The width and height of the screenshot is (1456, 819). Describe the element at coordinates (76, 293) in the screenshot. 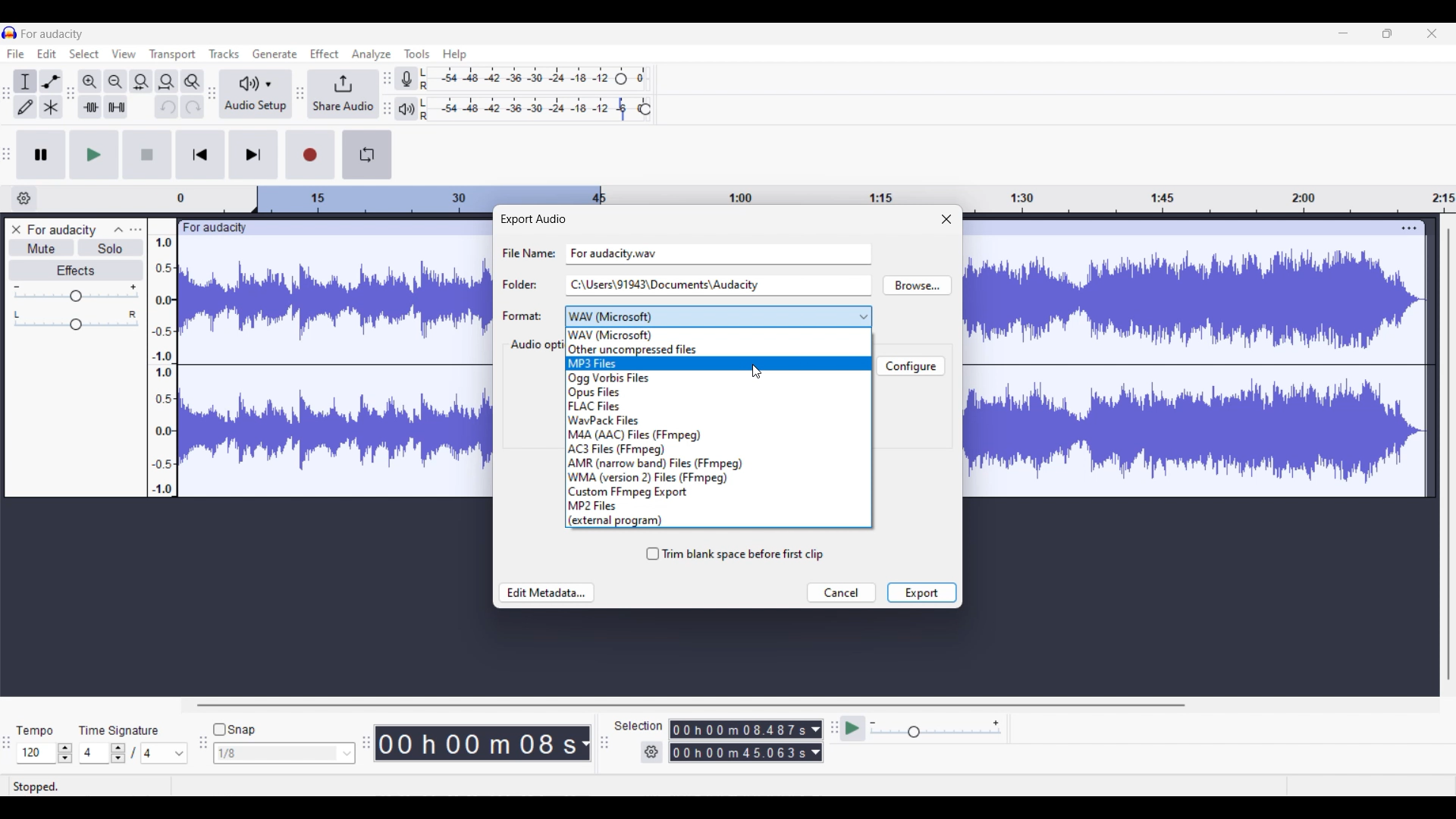

I see `Volume scale` at that location.